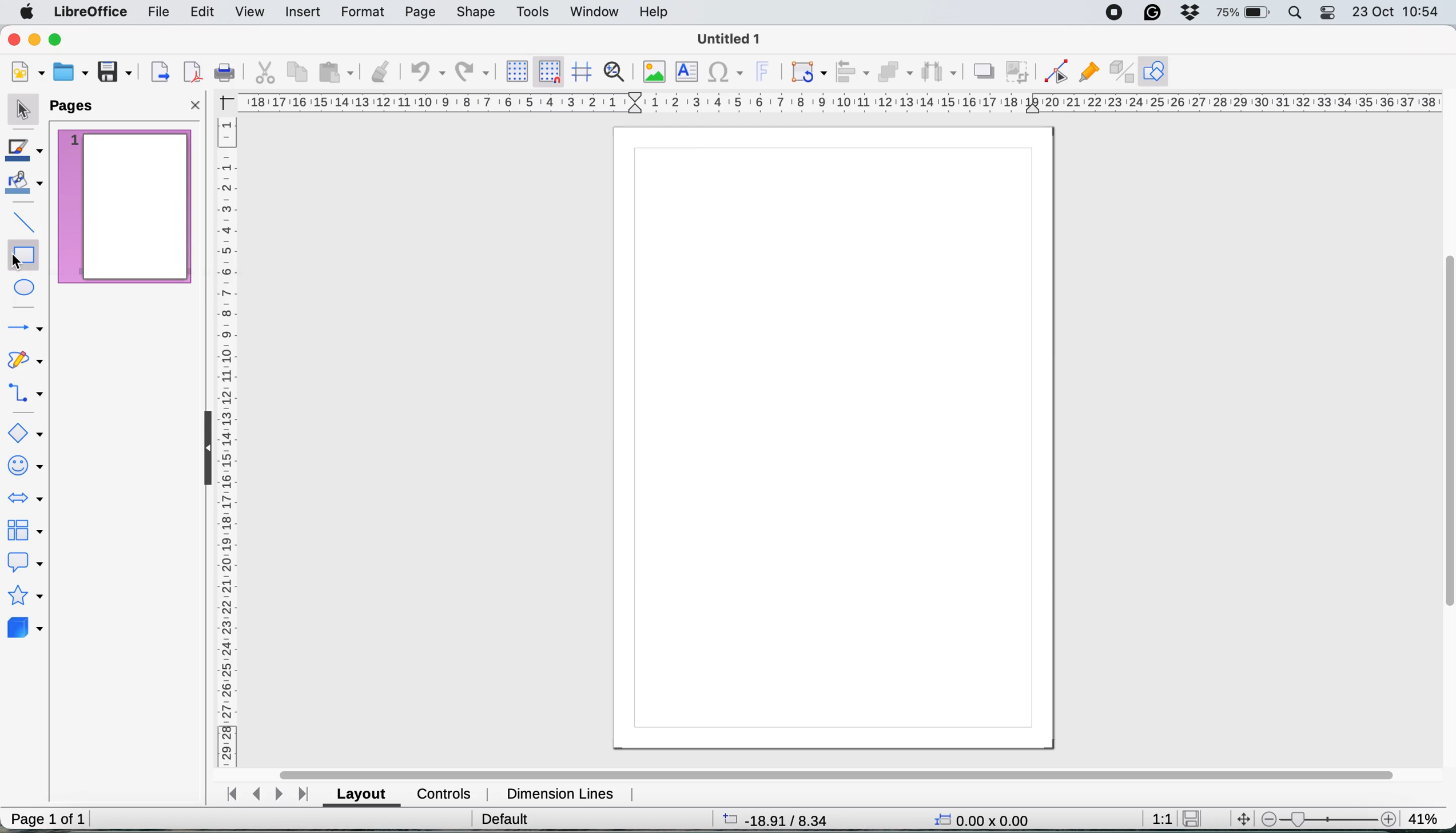  I want to click on controls, so click(444, 794).